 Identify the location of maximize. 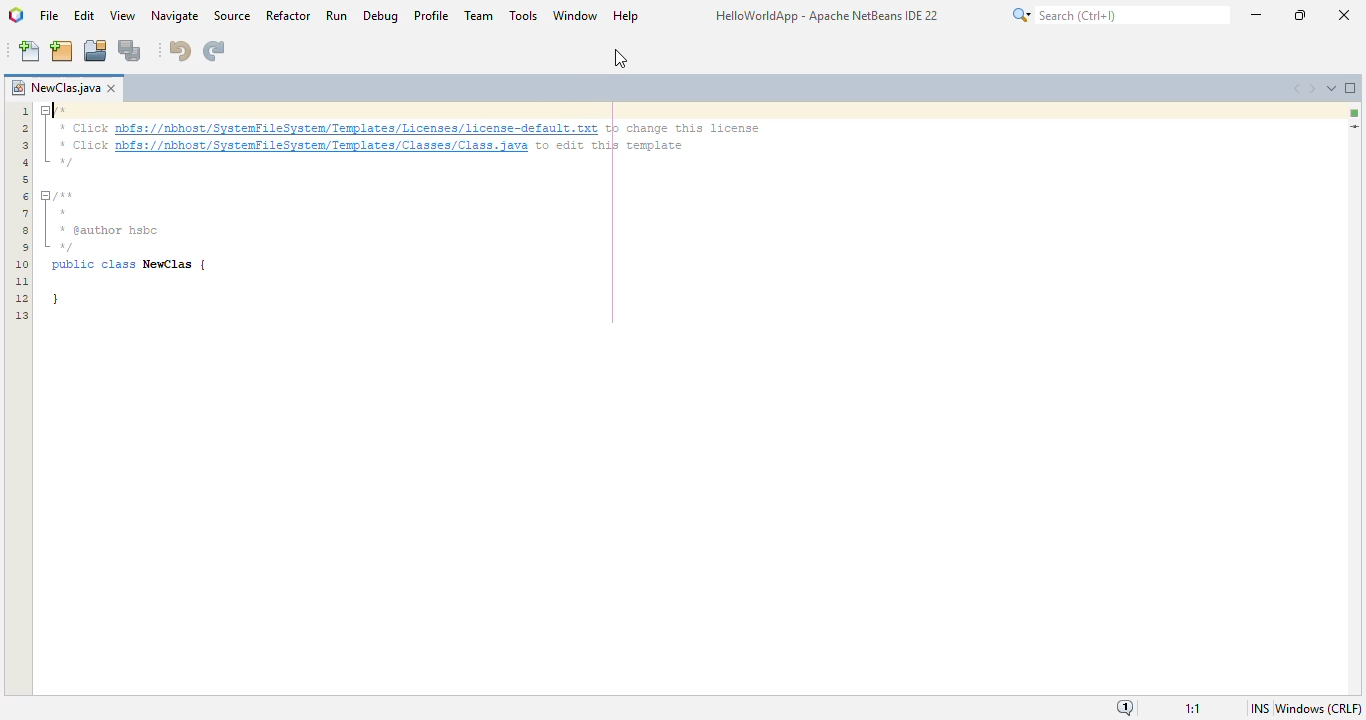
(1301, 14).